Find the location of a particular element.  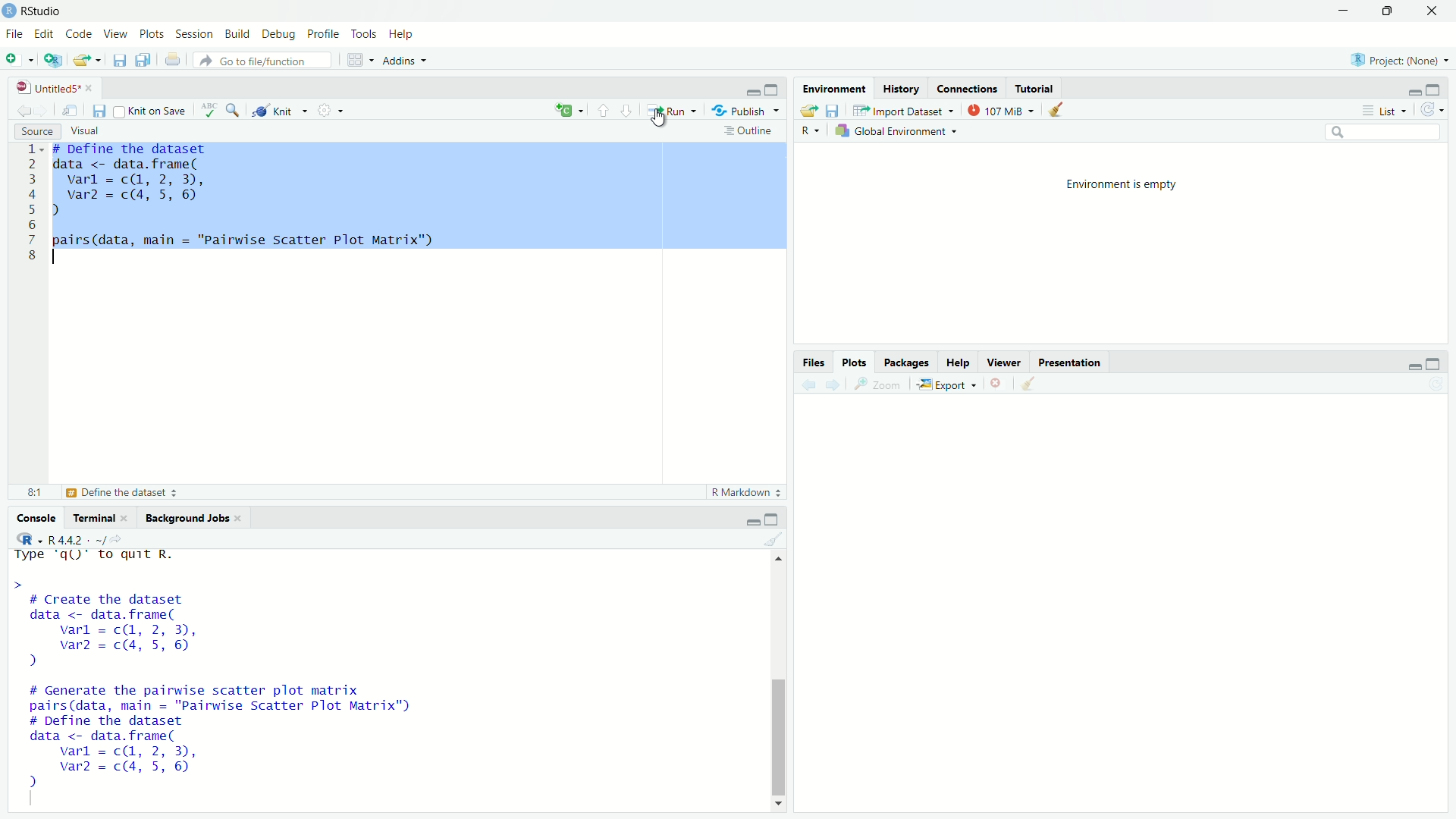

Export is located at coordinates (945, 384).